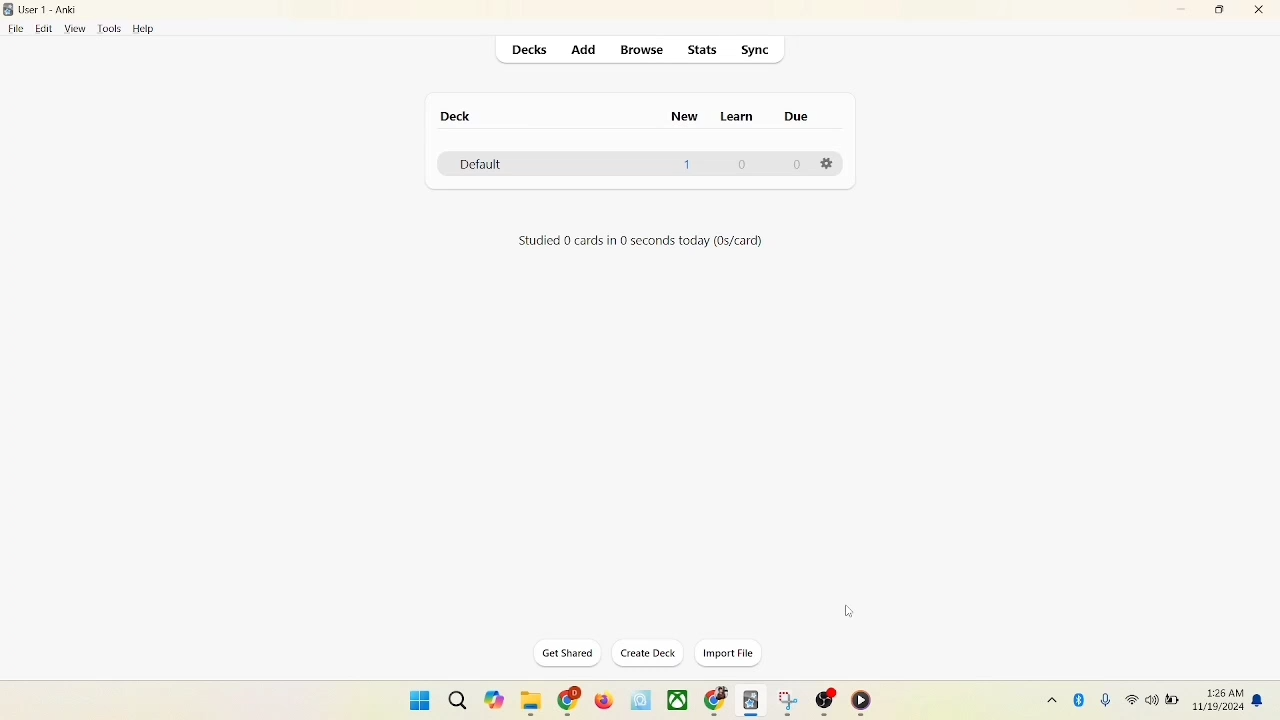  What do you see at coordinates (1221, 690) in the screenshot?
I see `time` at bounding box center [1221, 690].